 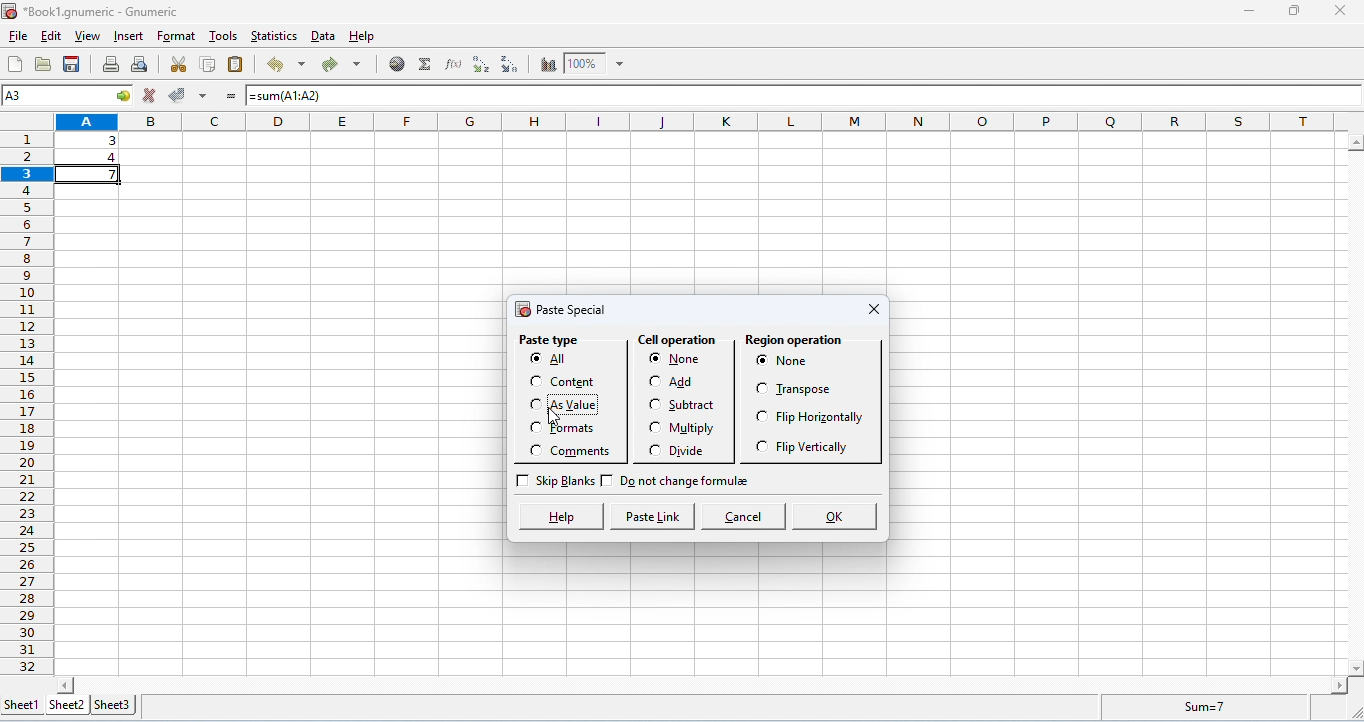 What do you see at coordinates (89, 37) in the screenshot?
I see `view` at bounding box center [89, 37].